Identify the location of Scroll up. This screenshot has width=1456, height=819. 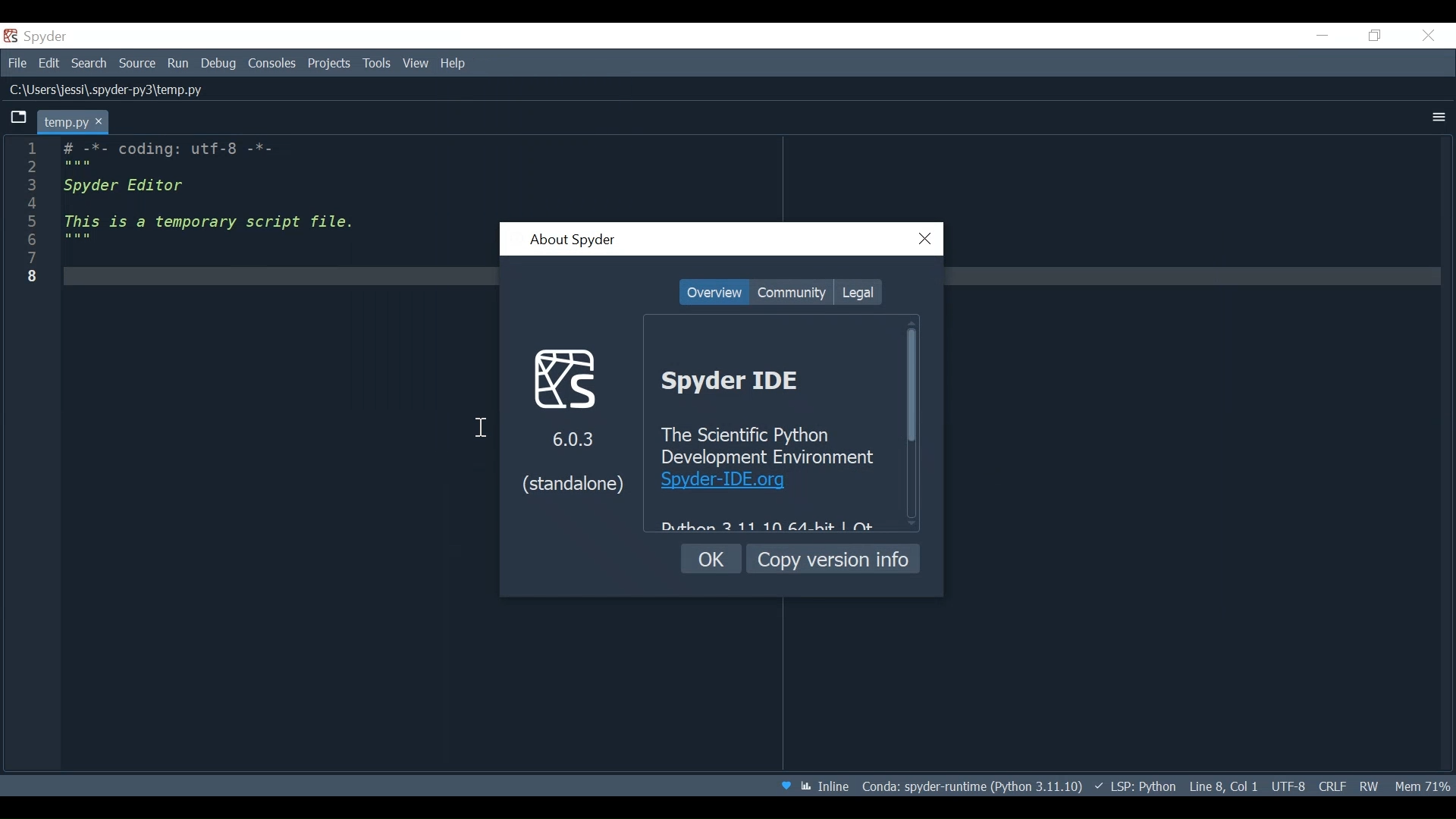
(915, 320).